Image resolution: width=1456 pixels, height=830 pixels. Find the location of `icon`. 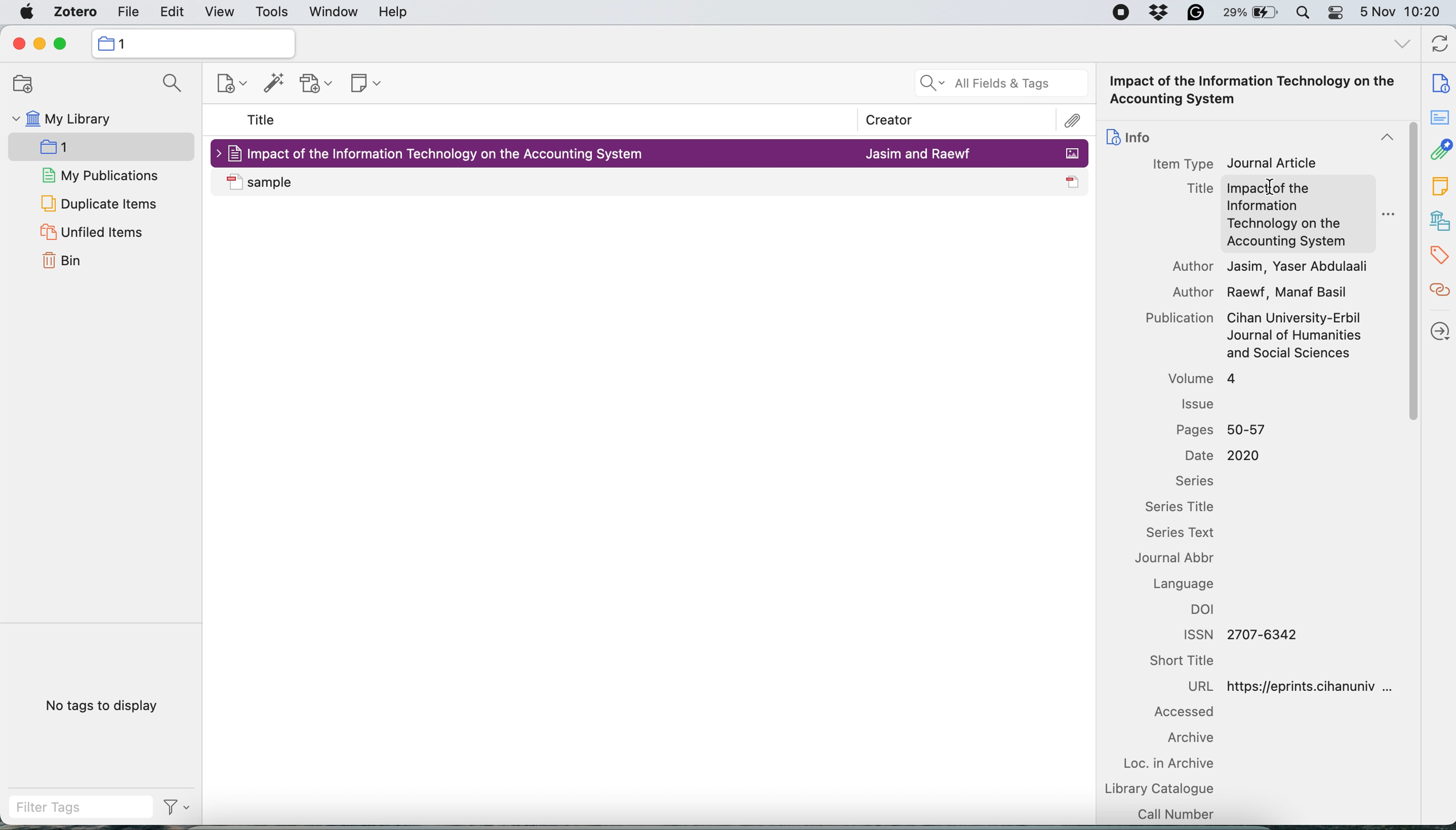

icon is located at coordinates (234, 181).